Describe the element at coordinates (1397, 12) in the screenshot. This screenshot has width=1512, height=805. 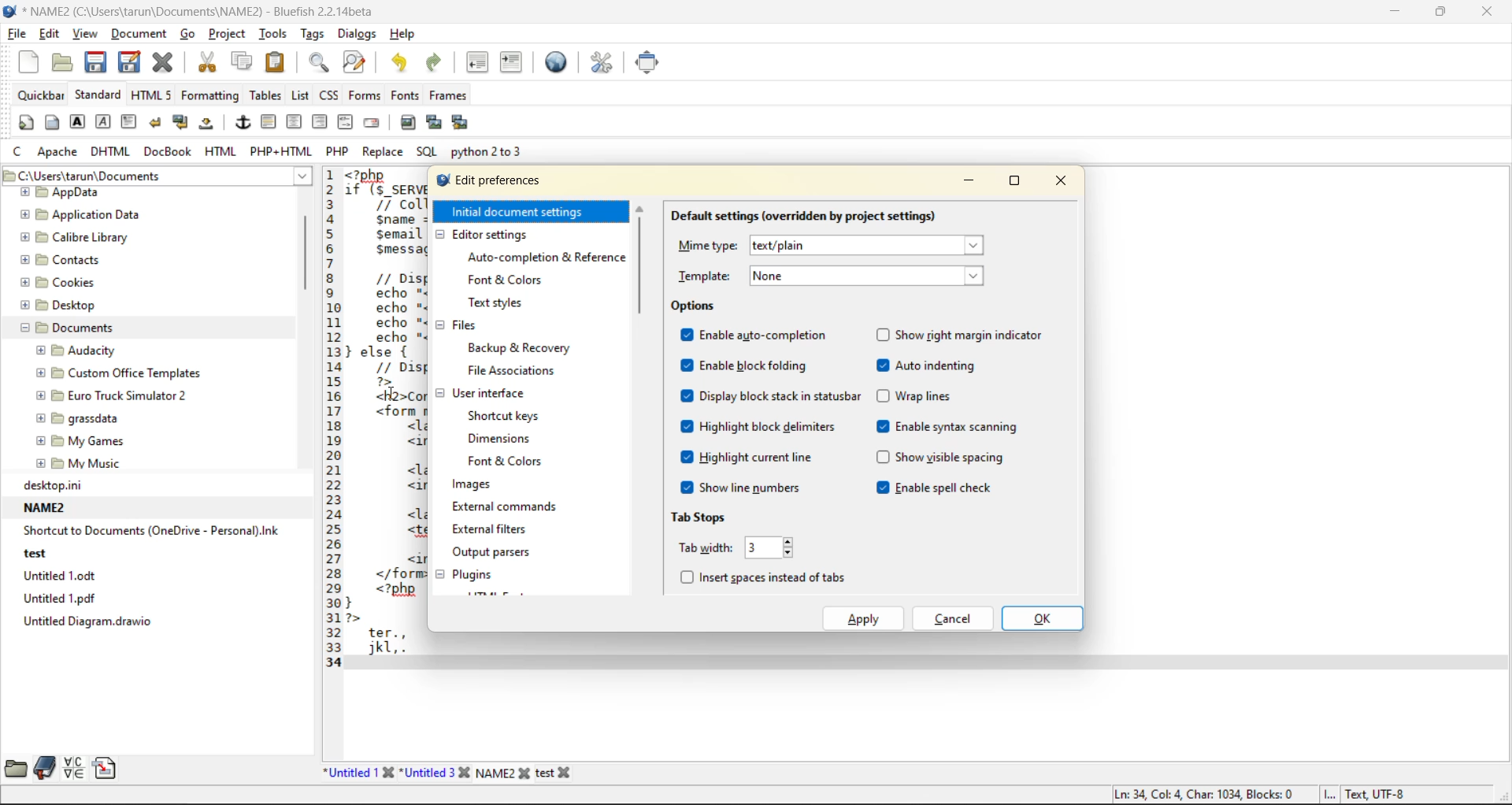
I see `minimize` at that location.